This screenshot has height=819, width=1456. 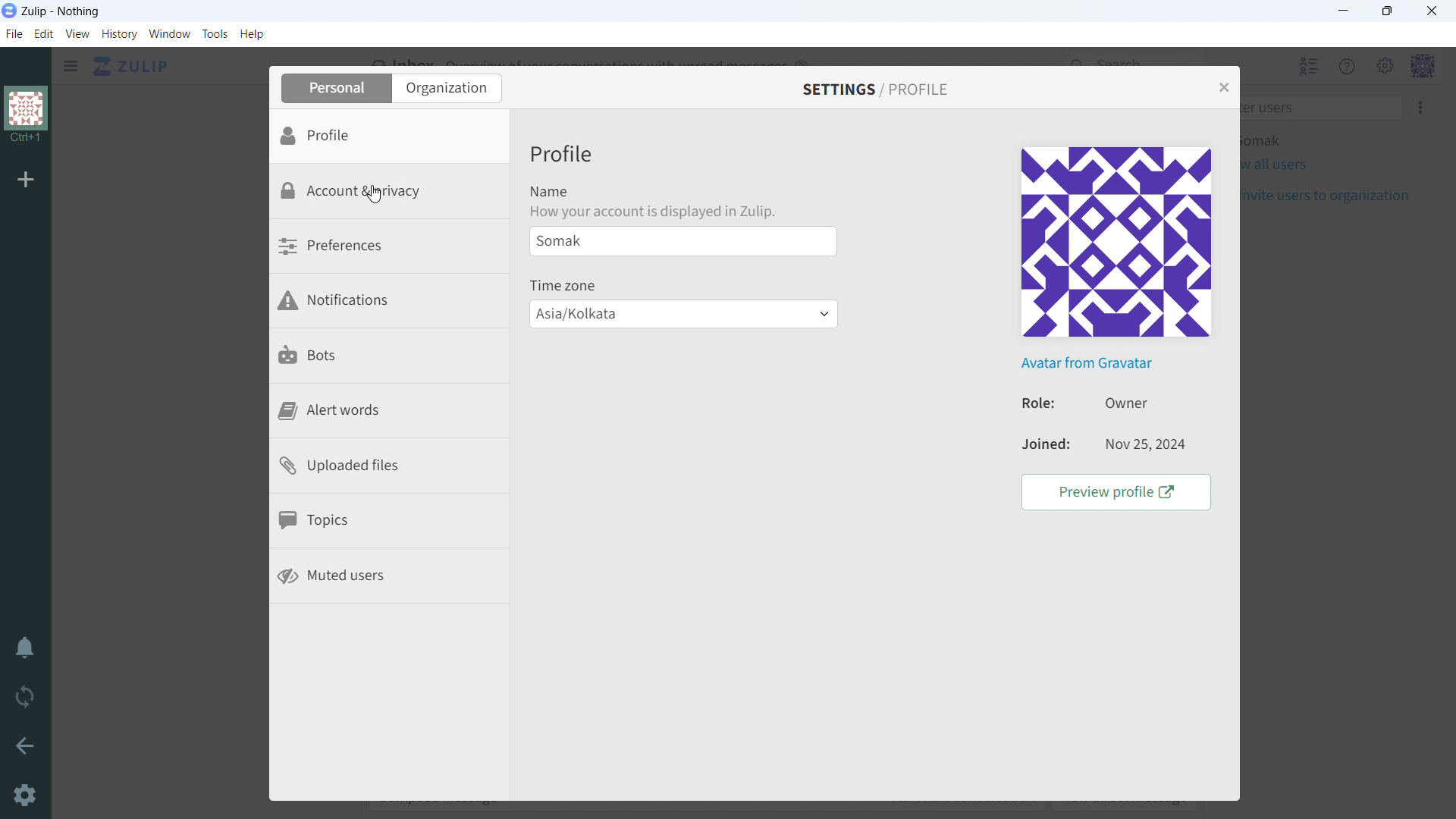 I want to click on notifications, so click(x=391, y=303).